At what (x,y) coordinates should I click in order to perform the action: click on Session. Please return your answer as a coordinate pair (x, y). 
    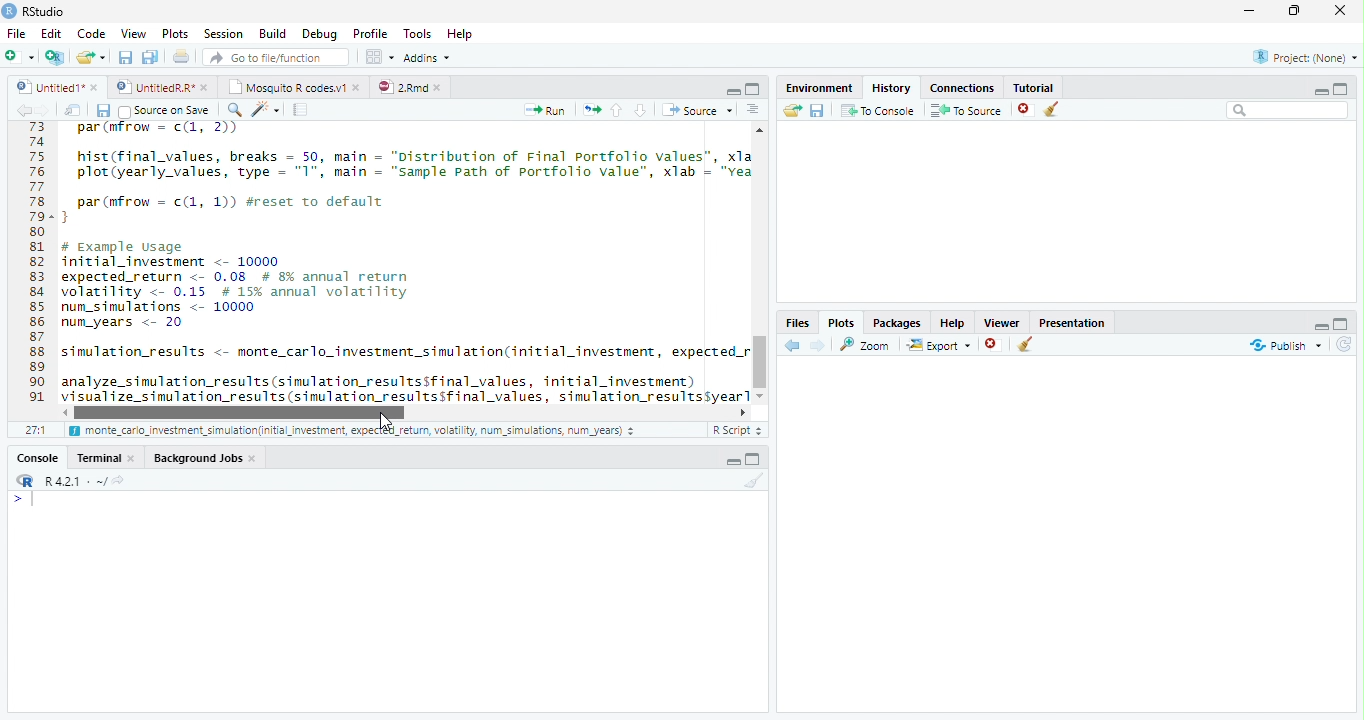
    Looking at the image, I should click on (222, 33).